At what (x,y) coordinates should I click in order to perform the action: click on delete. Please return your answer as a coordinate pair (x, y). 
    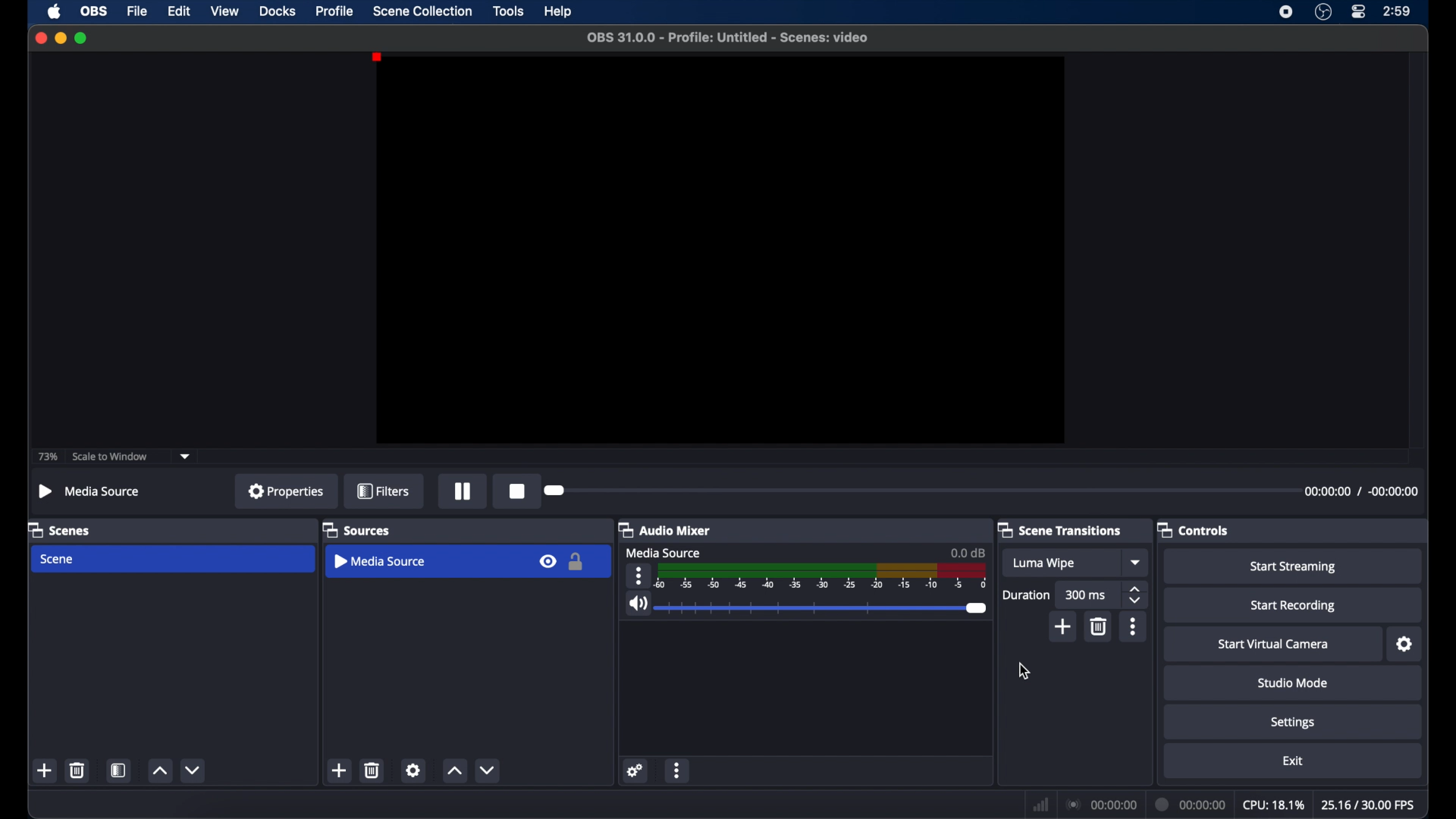
    Looking at the image, I should click on (1100, 627).